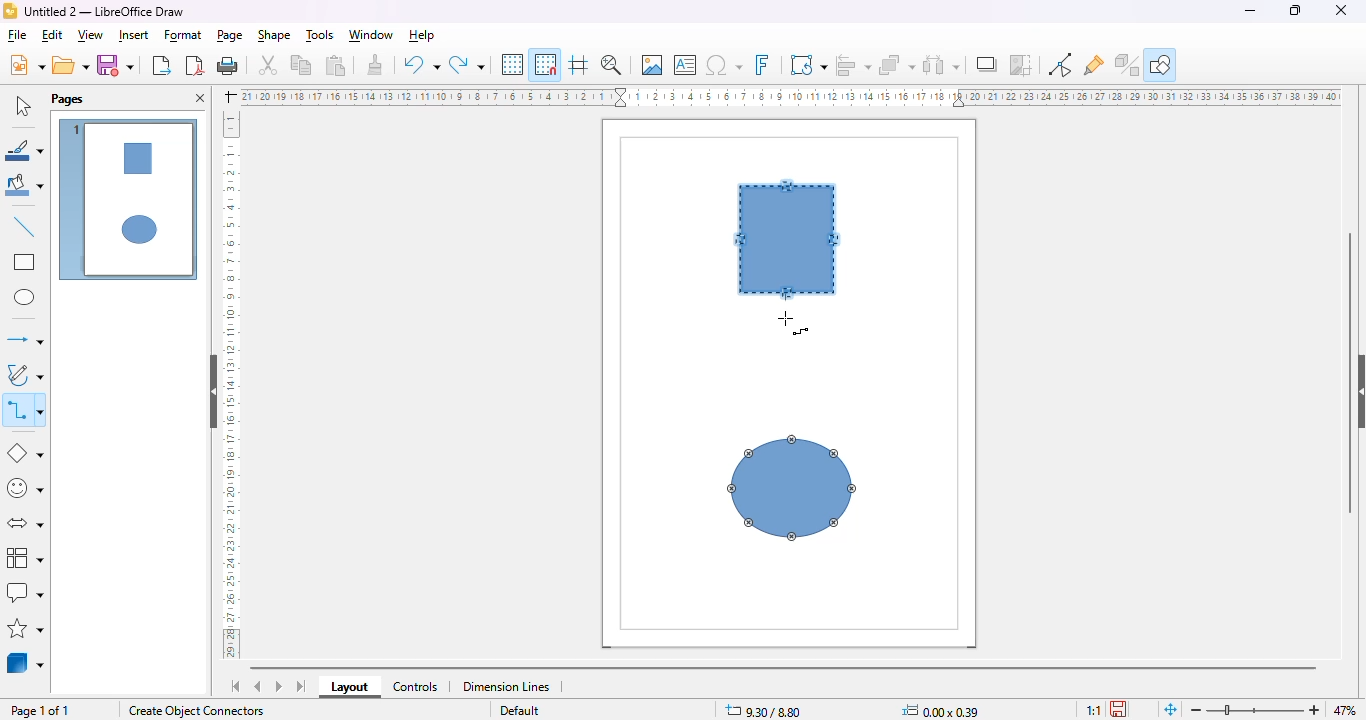 The width and height of the screenshot is (1366, 720). I want to click on window, so click(371, 35).